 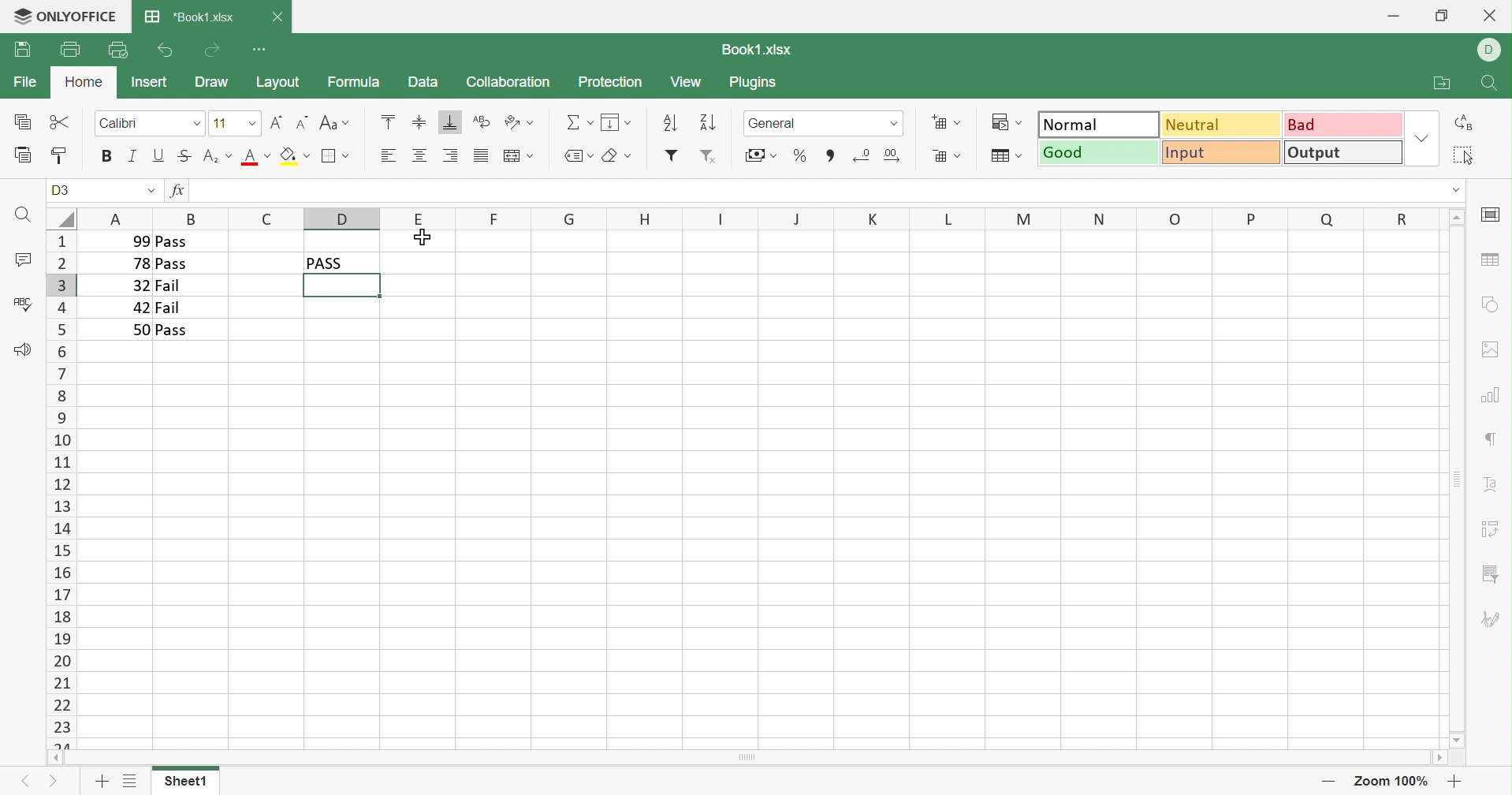 What do you see at coordinates (893, 155) in the screenshot?
I see `Increase decimal` at bounding box center [893, 155].